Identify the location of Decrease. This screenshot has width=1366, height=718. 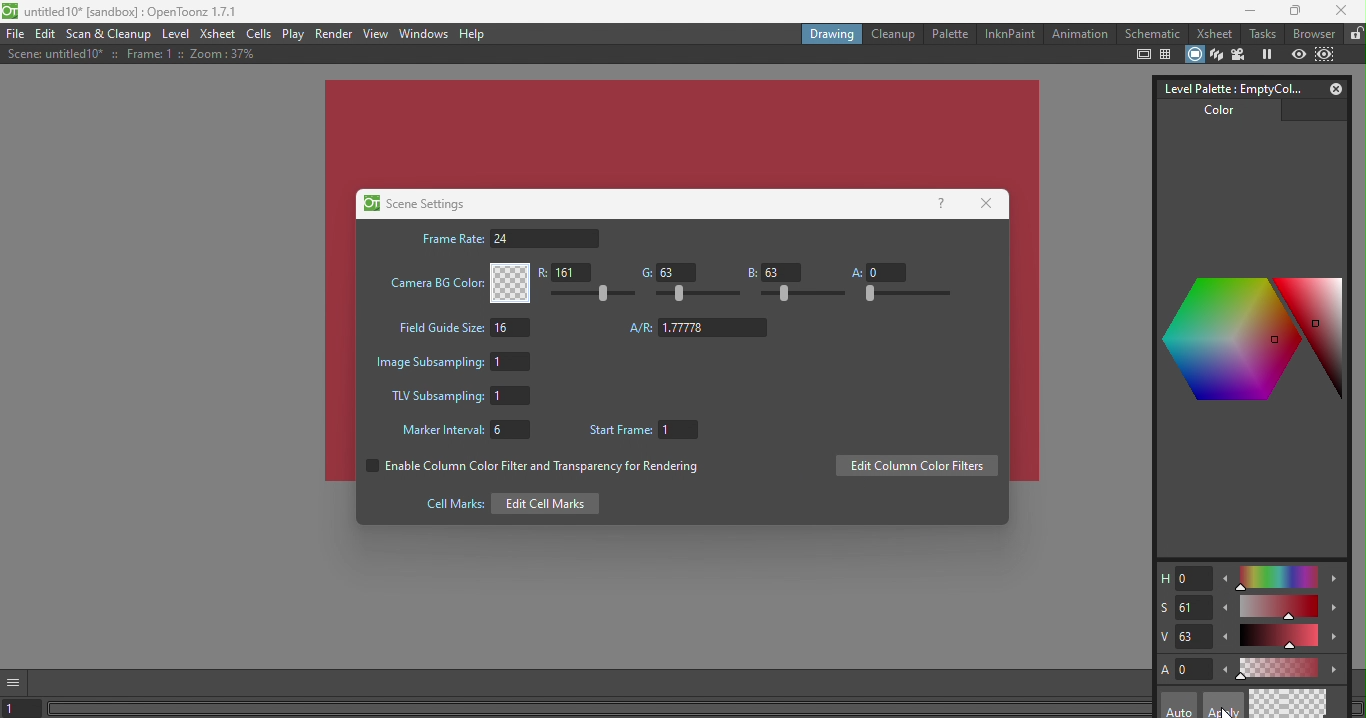
(1227, 639).